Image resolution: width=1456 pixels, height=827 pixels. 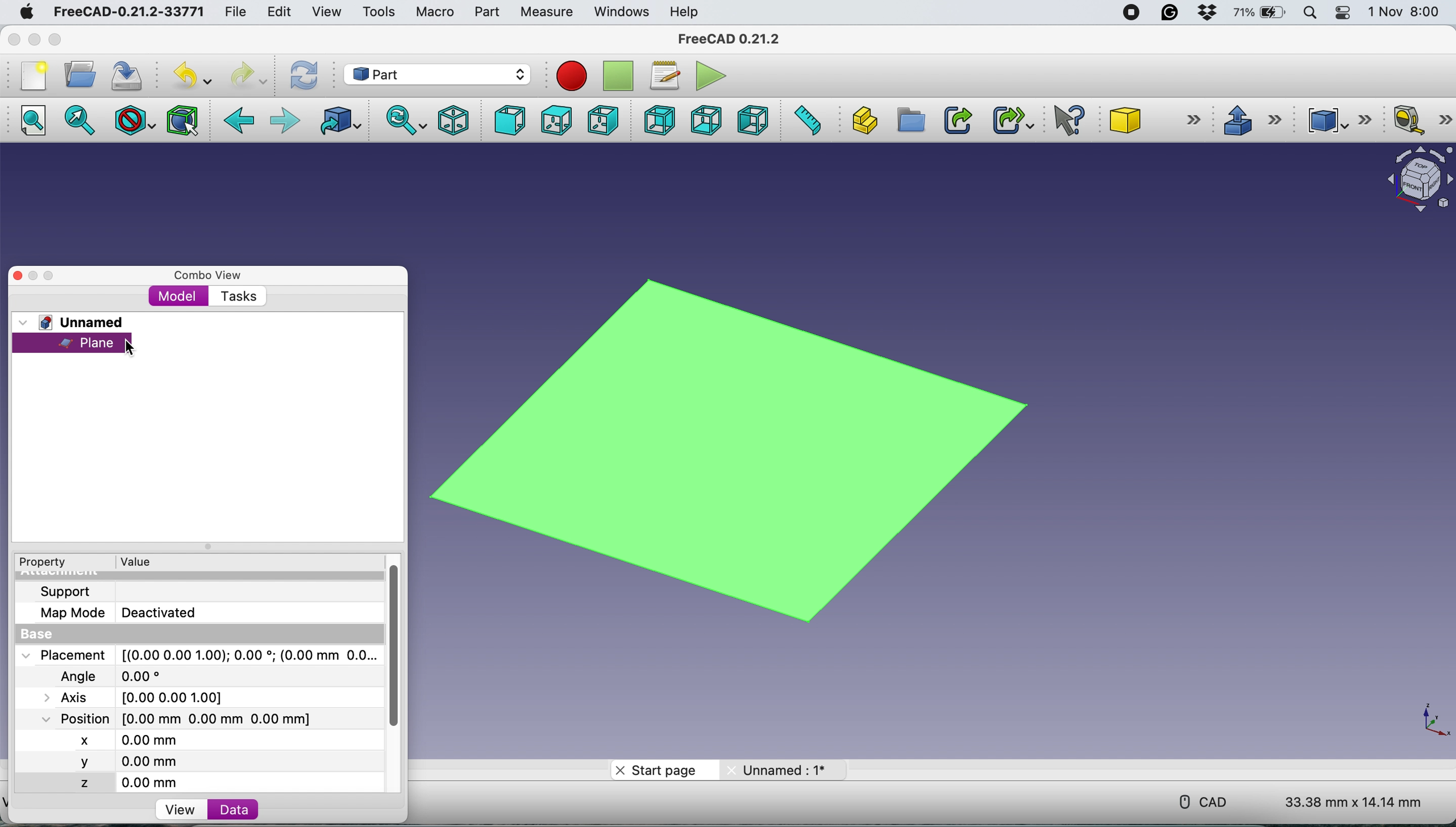 I want to click on stop recording macros, so click(x=618, y=76).